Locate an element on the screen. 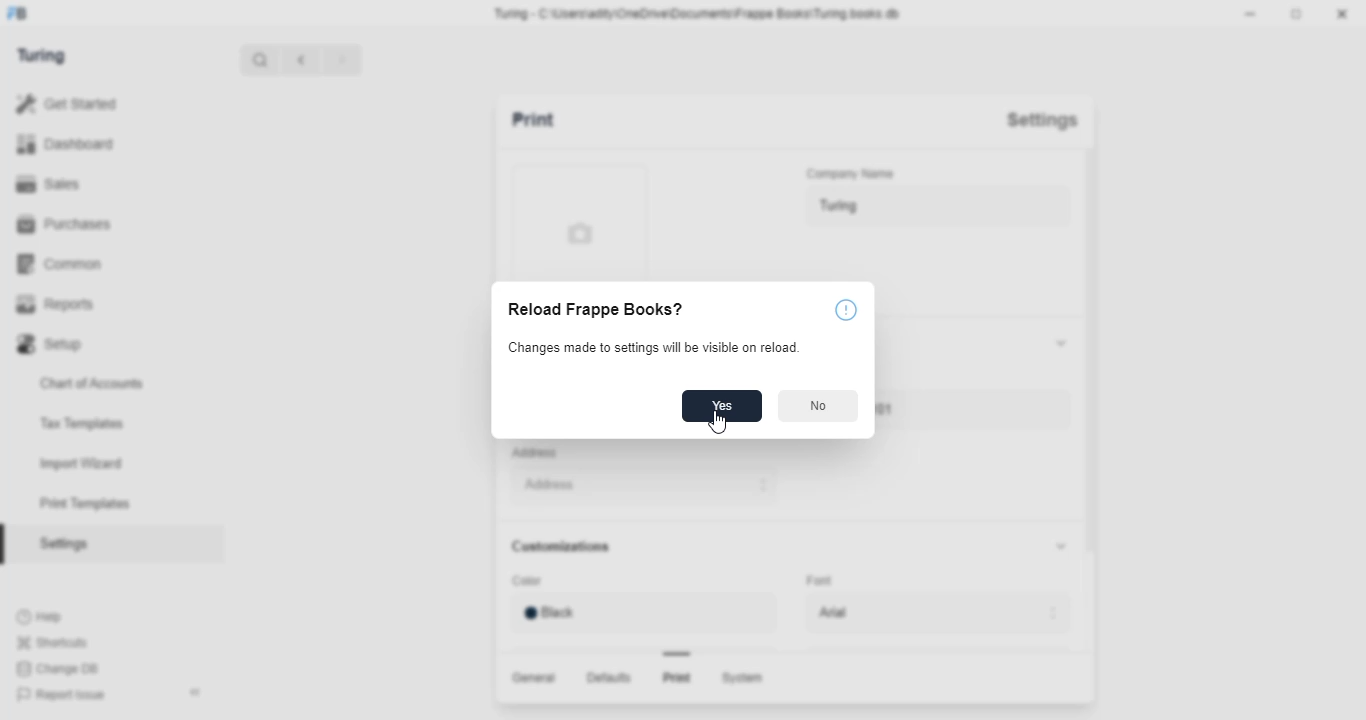  ‘Customizations is located at coordinates (565, 547).